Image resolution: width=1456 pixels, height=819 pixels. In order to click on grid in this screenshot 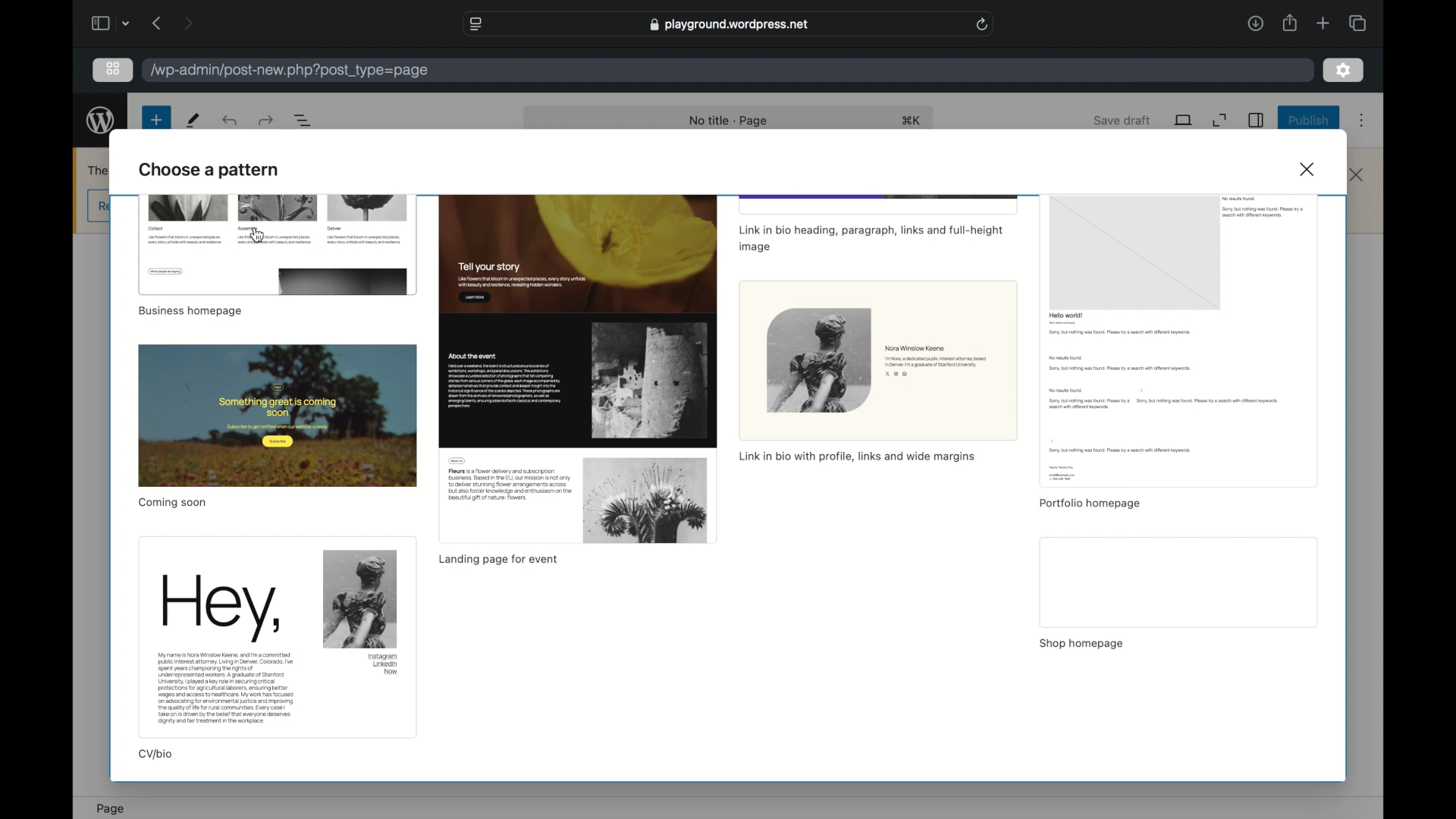, I will do `click(115, 68)`.